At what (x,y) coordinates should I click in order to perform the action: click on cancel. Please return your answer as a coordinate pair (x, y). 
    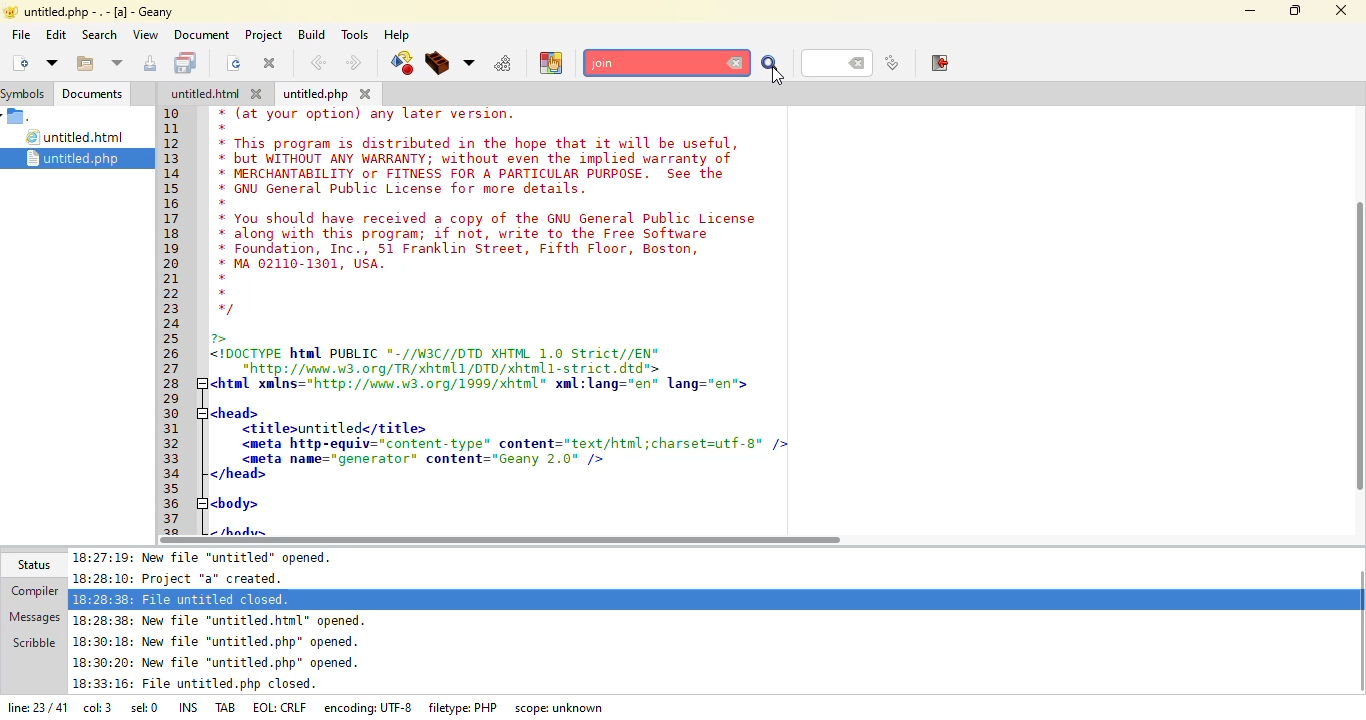
    Looking at the image, I should click on (736, 64).